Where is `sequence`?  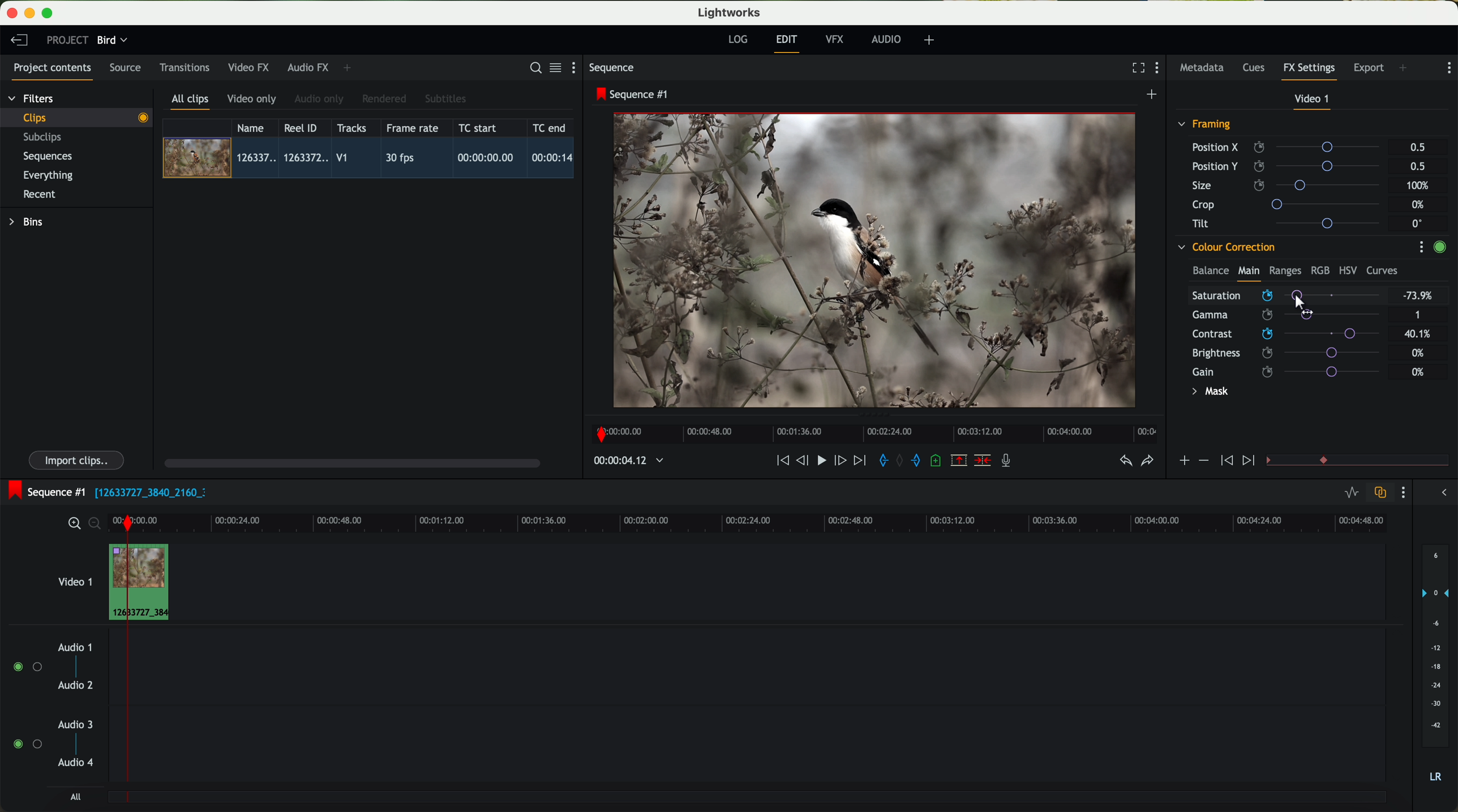
sequence is located at coordinates (612, 68).